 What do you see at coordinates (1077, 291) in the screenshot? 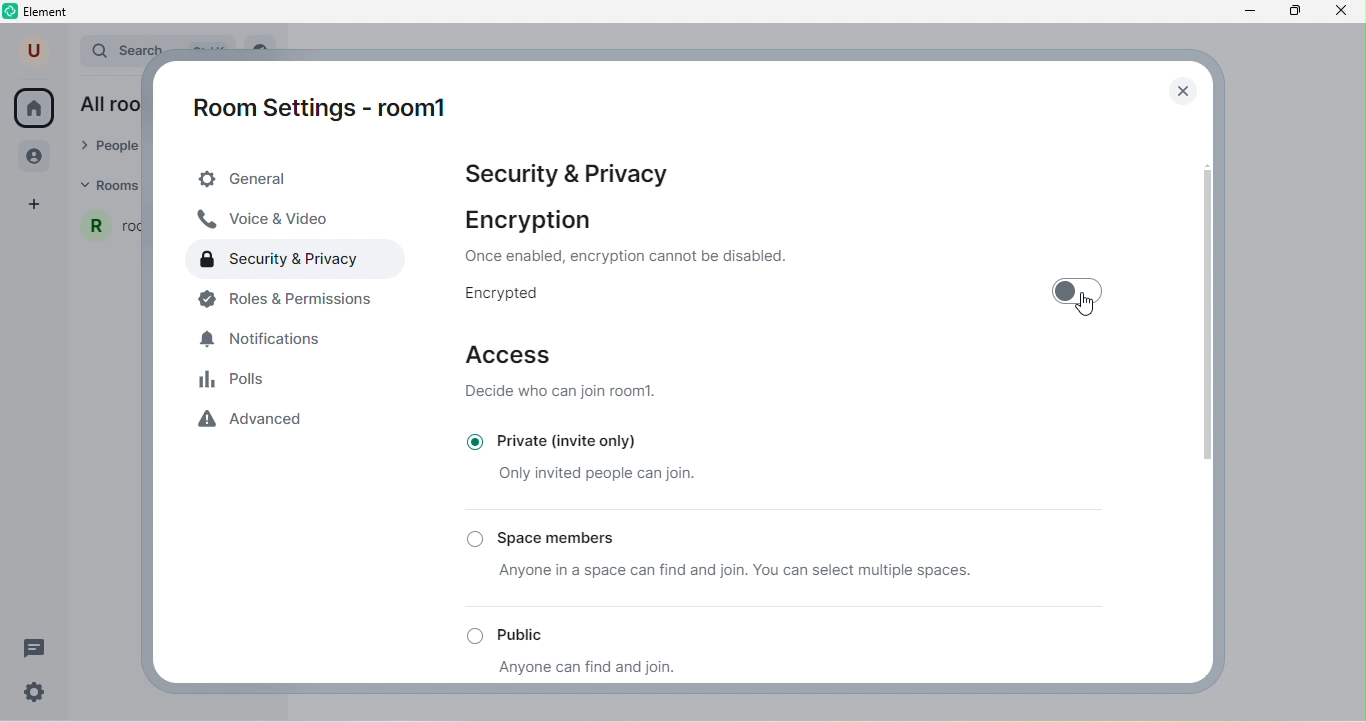
I see `toggle off/on` at bounding box center [1077, 291].